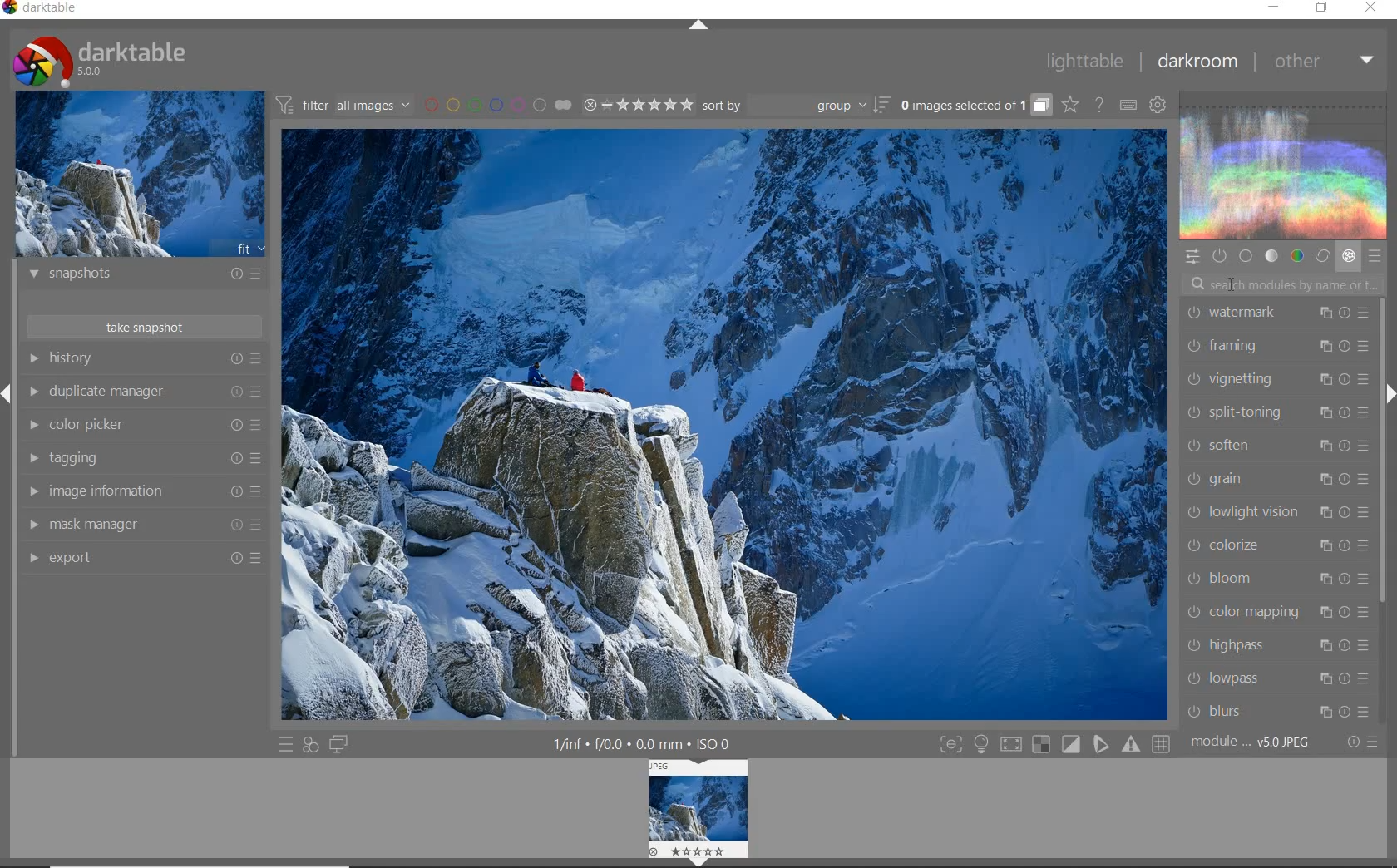  What do you see at coordinates (147, 326) in the screenshot?
I see `take snapshot` at bounding box center [147, 326].